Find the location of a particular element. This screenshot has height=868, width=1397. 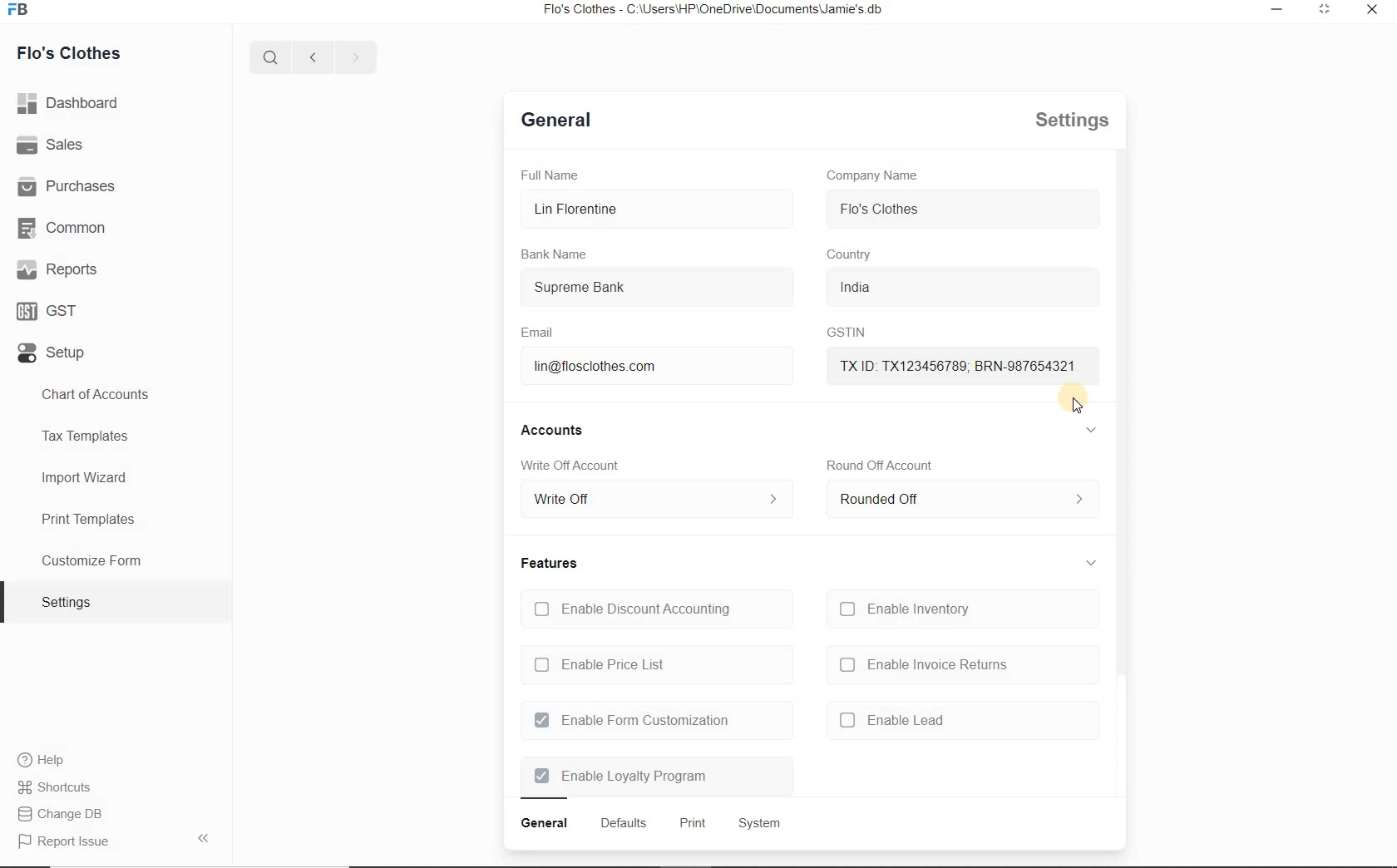

previous is located at coordinates (311, 57).